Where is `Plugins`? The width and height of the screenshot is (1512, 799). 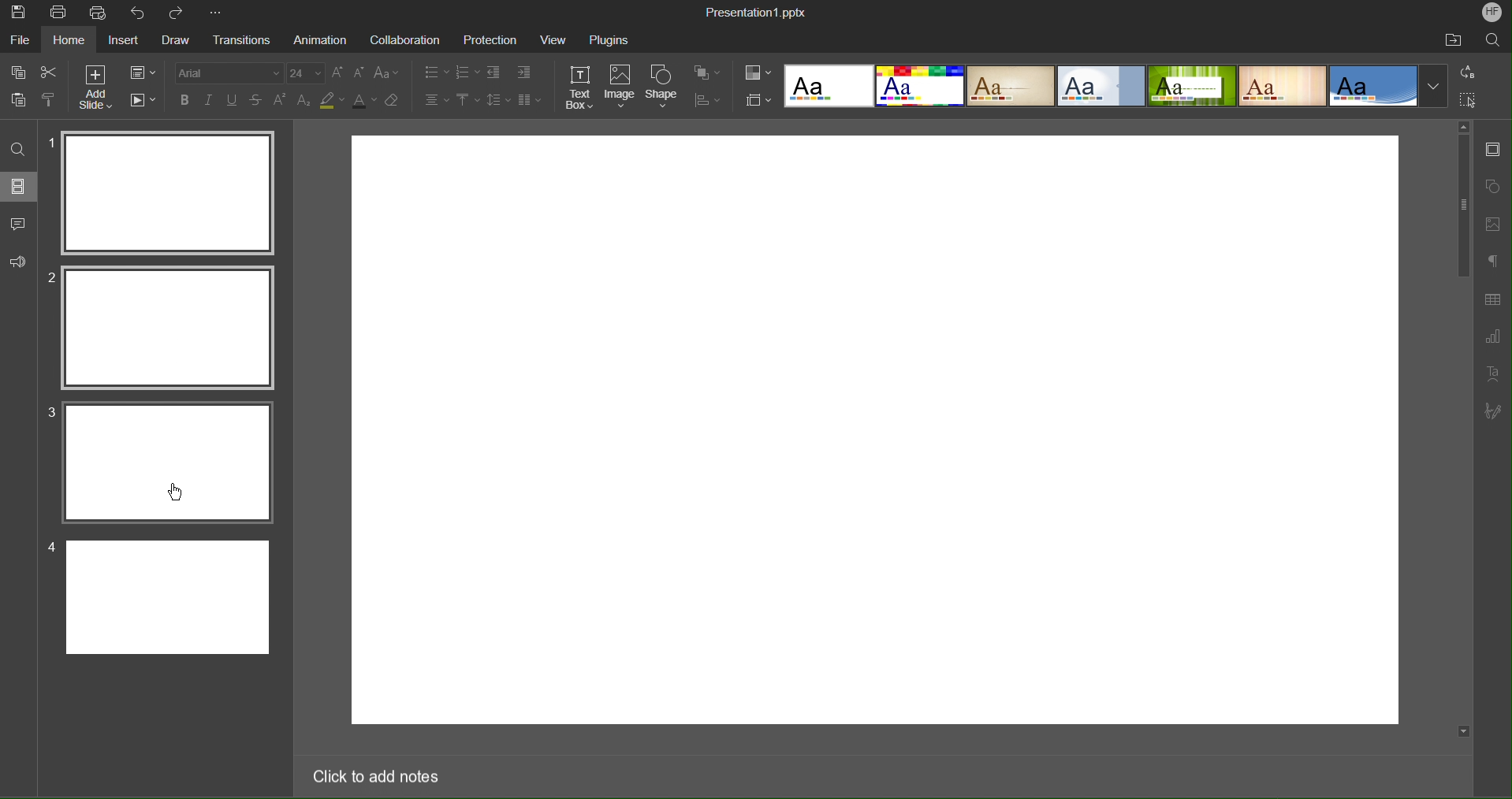
Plugins is located at coordinates (608, 39).